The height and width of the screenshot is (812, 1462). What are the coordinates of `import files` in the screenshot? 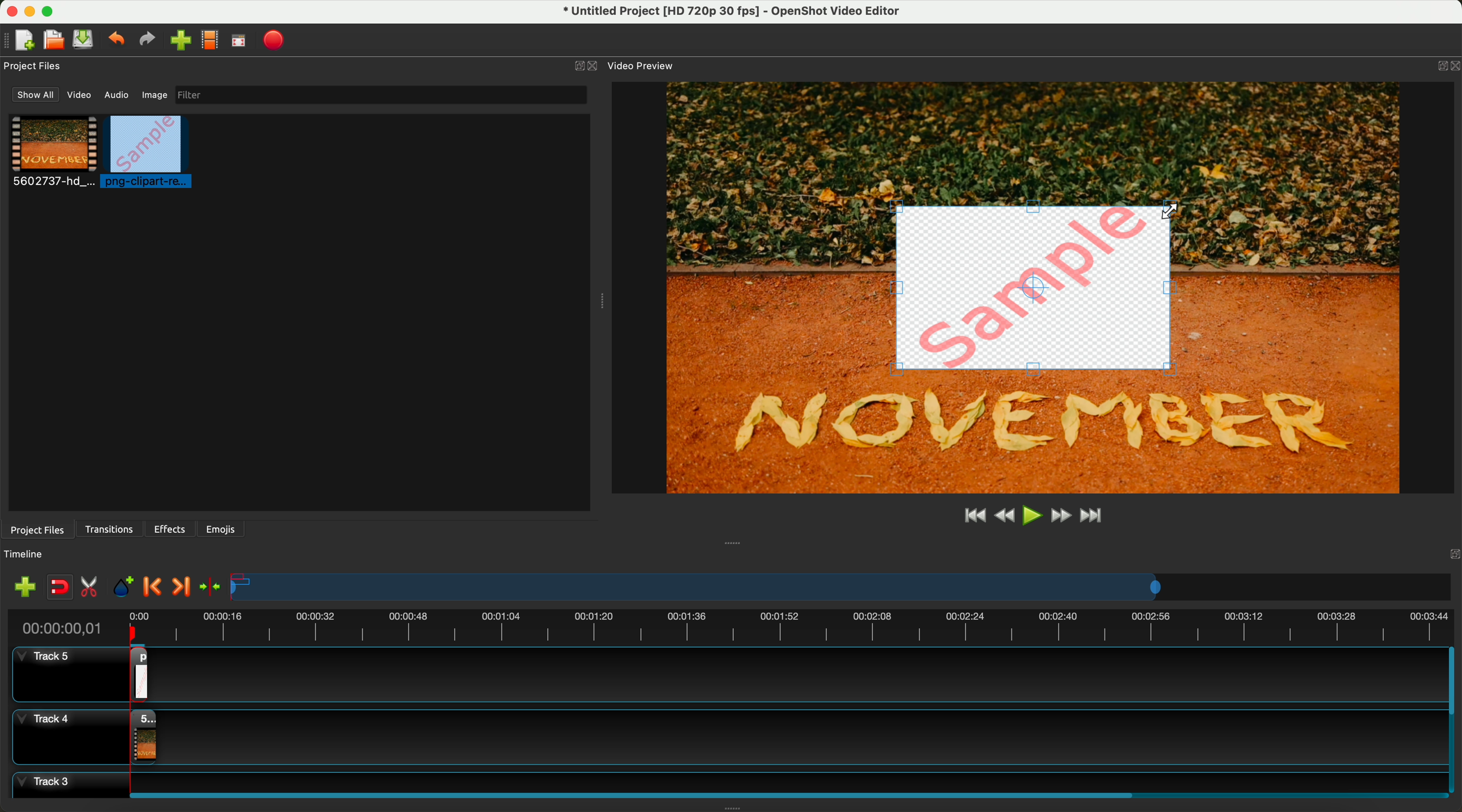 It's located at (22, 586).